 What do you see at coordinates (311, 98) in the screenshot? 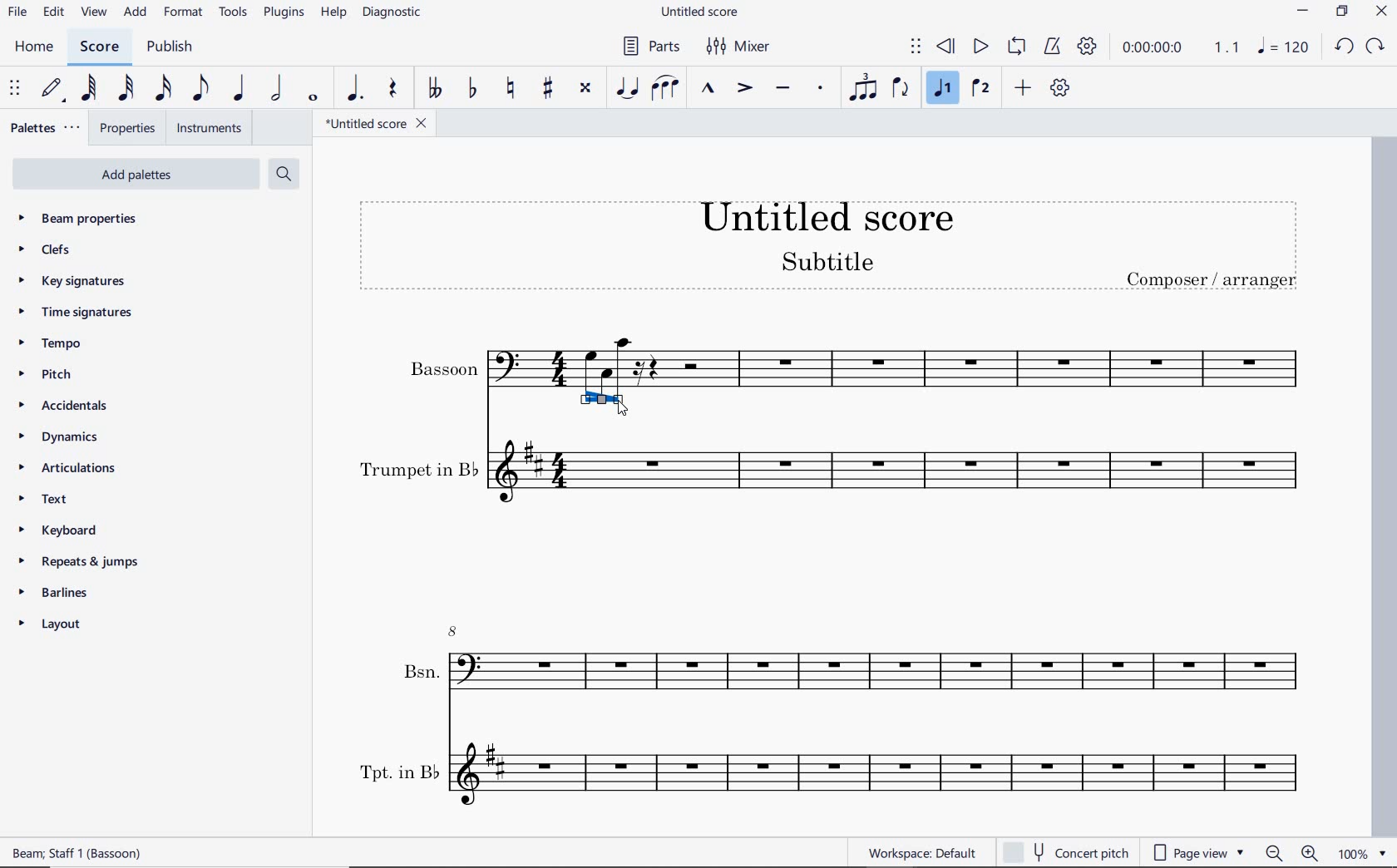
I see `whole note` at bounding box center [311, 98].